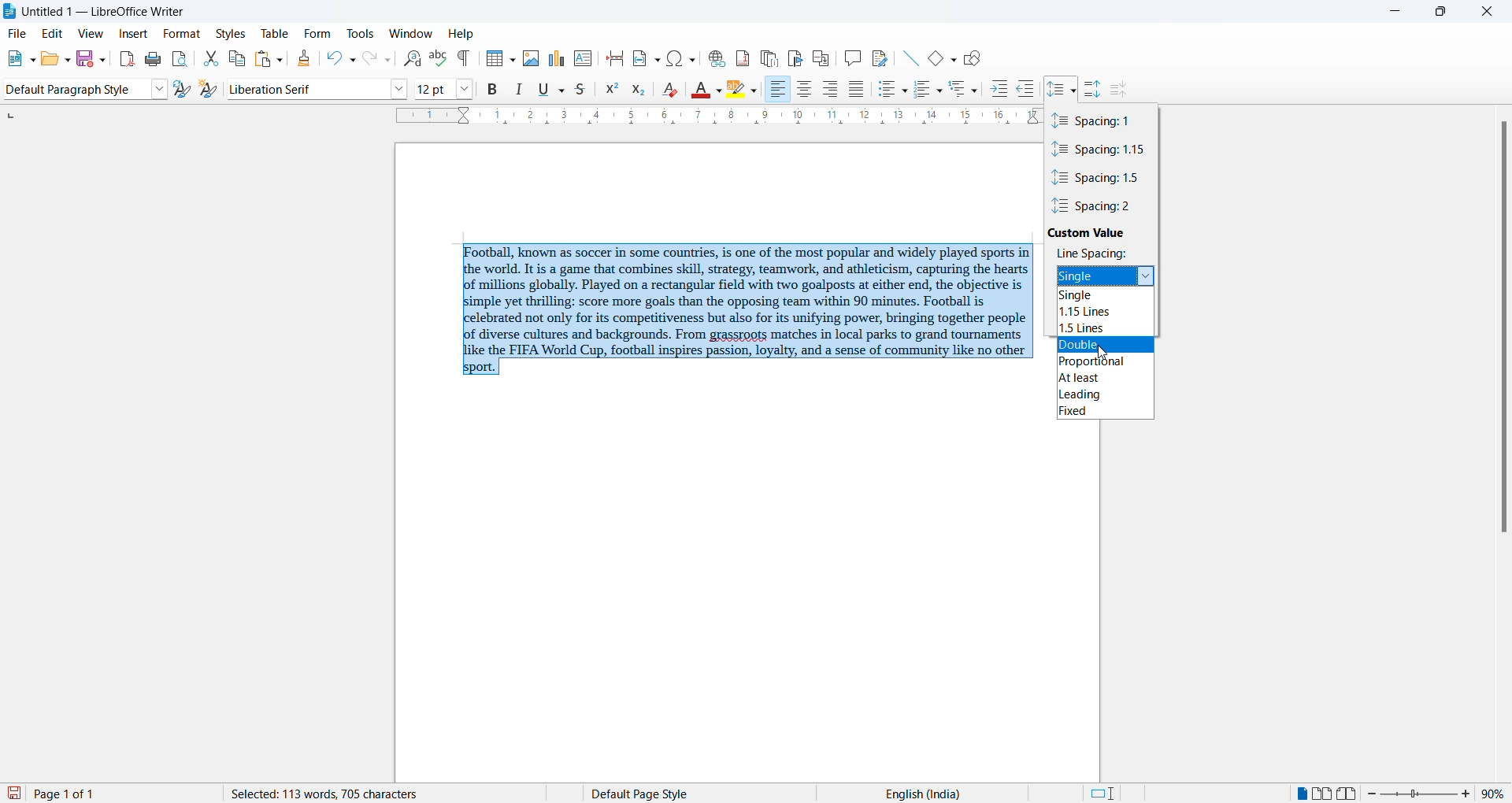 The width and height of the screenshot is (1512, 803). Describe the element at coordinates (1105, 380) in the screenshot. I see `at least` at that location.